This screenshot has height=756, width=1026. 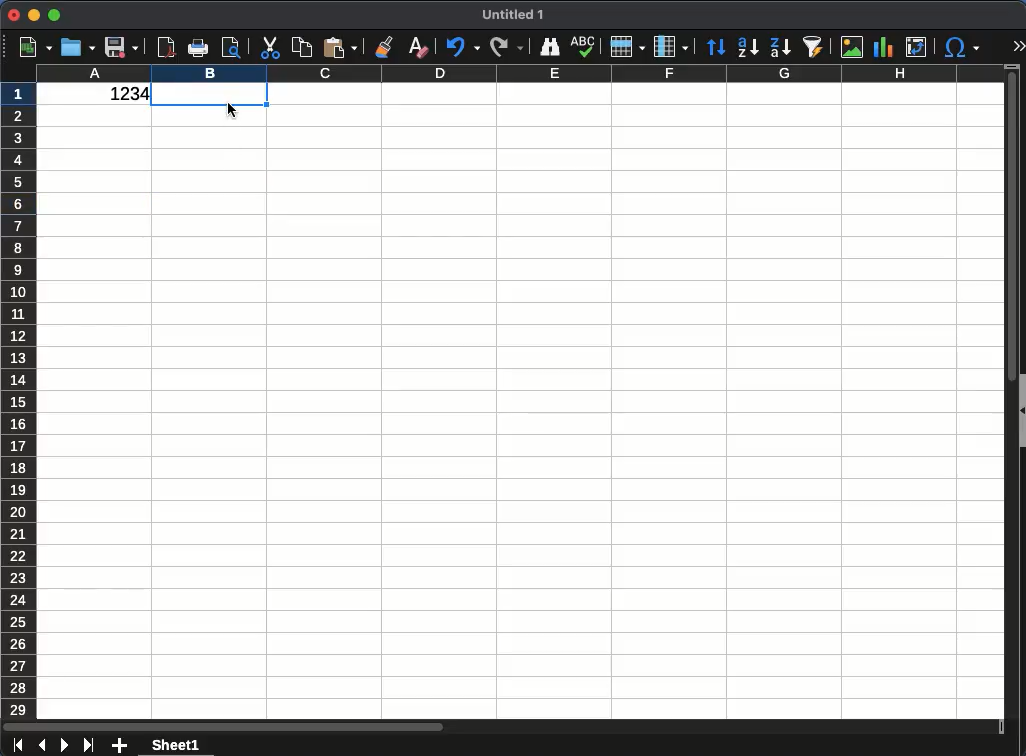 What do you see at coordinates (549, 47) in the screenshot?
I see `finder` at bounding box center [549, 47].